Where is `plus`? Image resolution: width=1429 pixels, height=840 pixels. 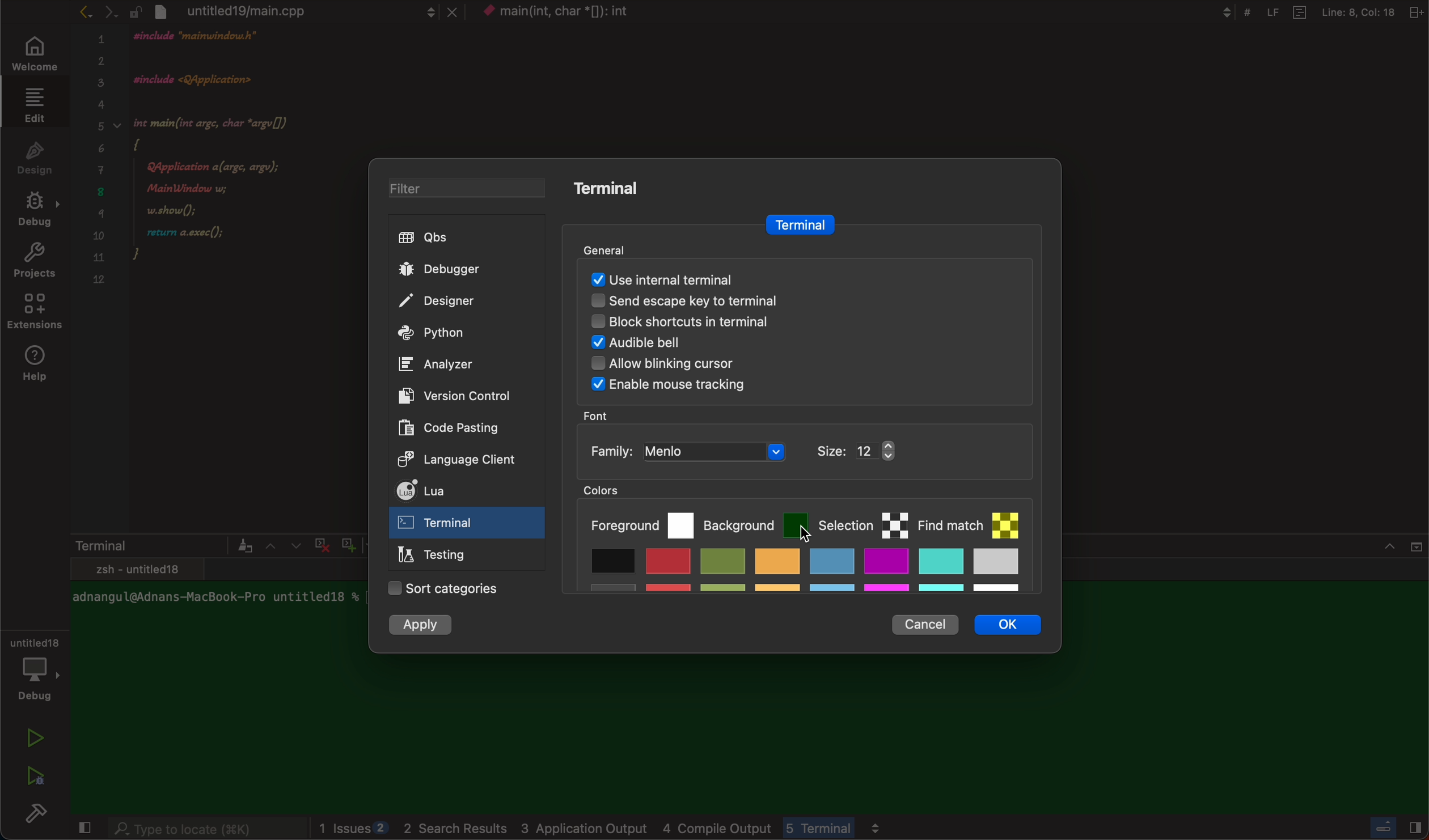 plus is located at coordinates (346, 543).